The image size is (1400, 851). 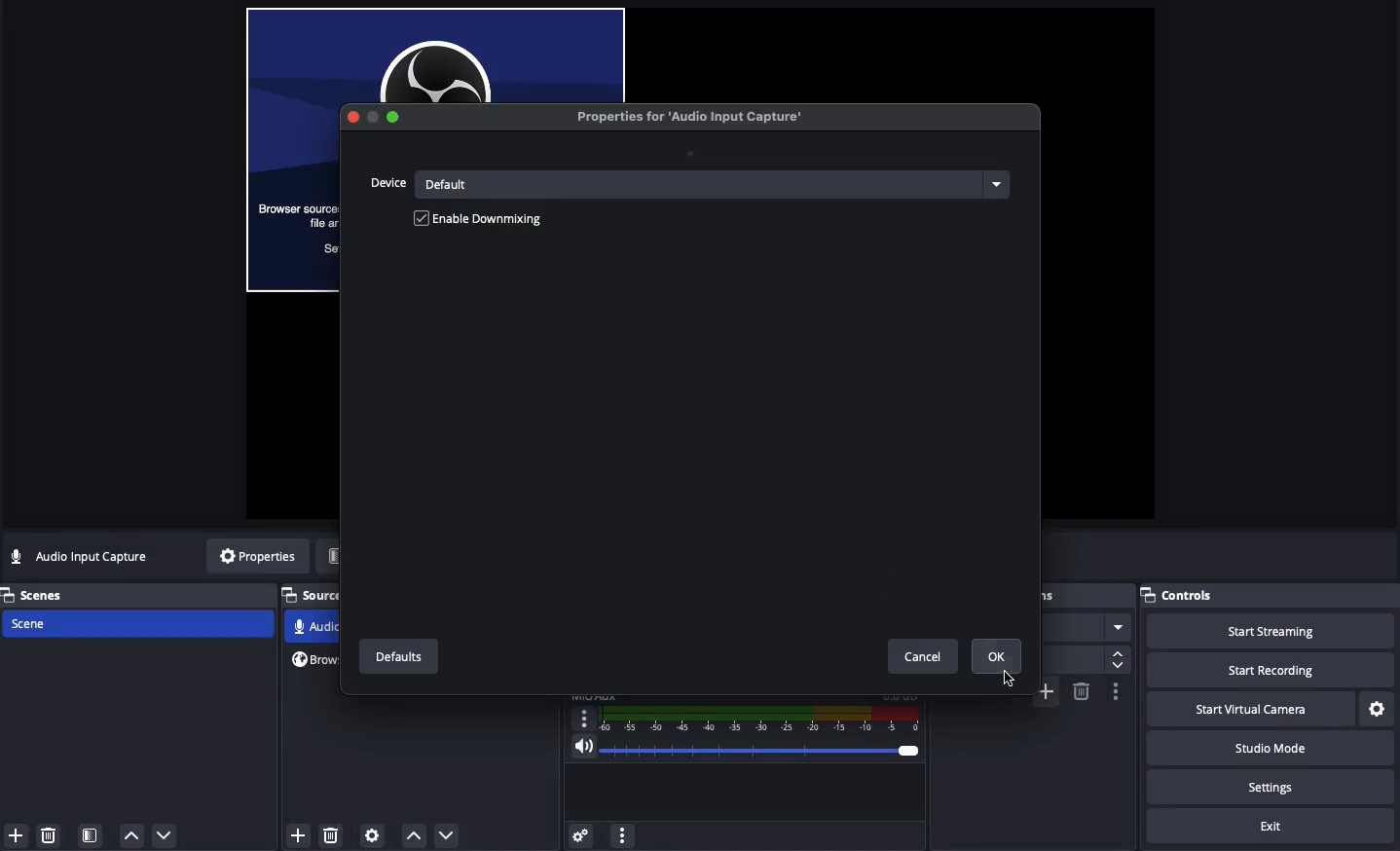 What do you see at coordinates (577, 834) in the screenshot?
I see `Settings` at bounding box center [577, 834].